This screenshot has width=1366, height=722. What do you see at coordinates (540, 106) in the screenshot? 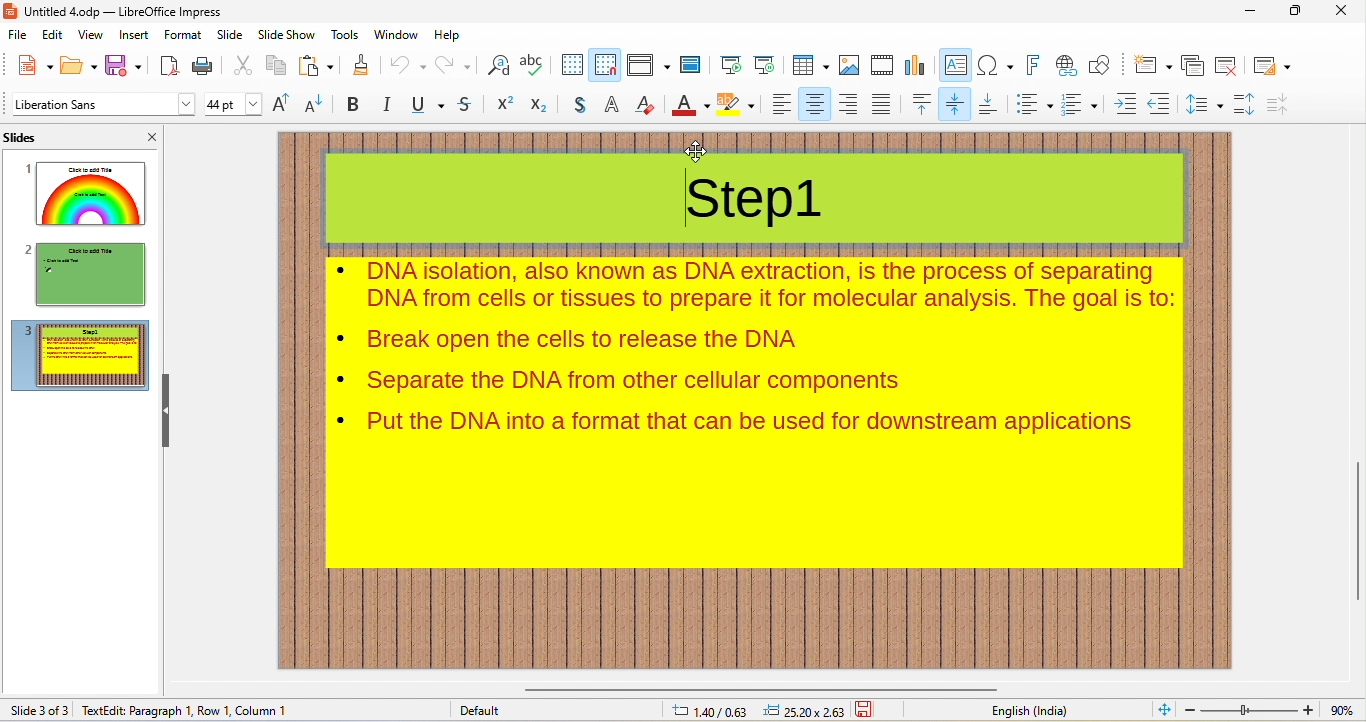
I see `subscript` at bounding box center [540, 106].